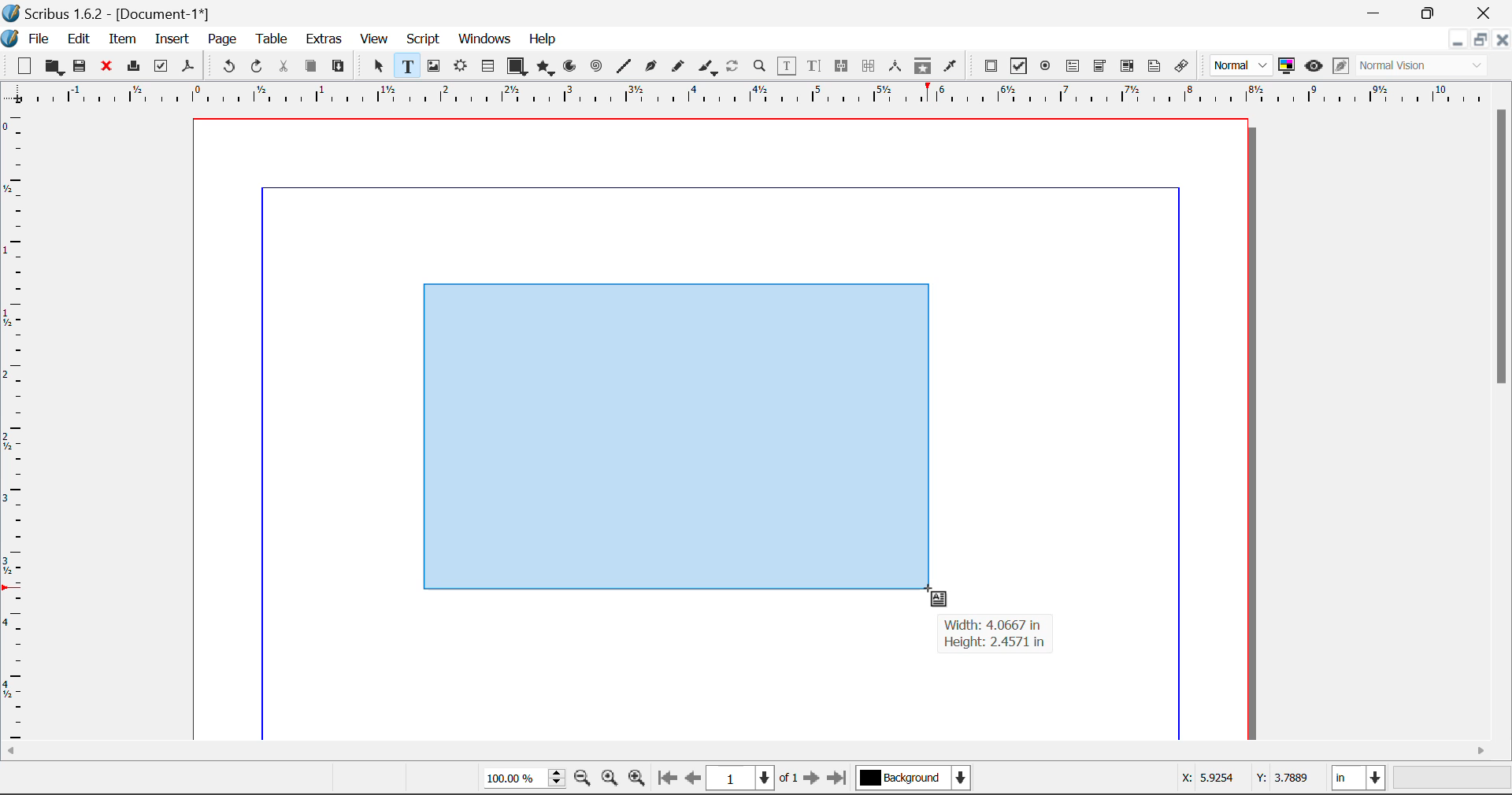 The image size is (1512, 795). Describe the element at coordinates (1377, 13) in the screenshot. I see `Restore Down` at that location.